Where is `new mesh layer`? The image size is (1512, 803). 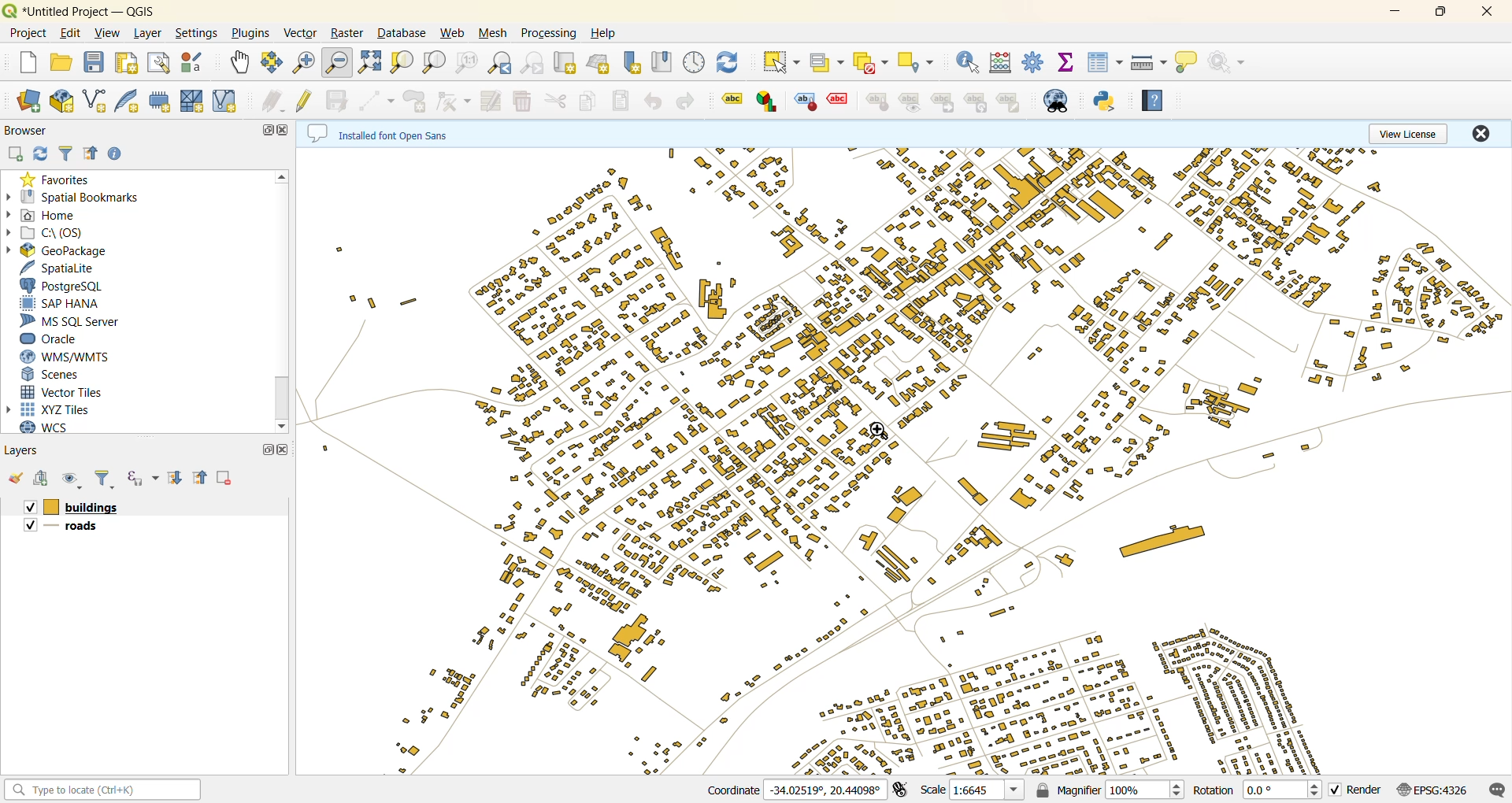
new mesh layer is located at coordinates (195, 99).